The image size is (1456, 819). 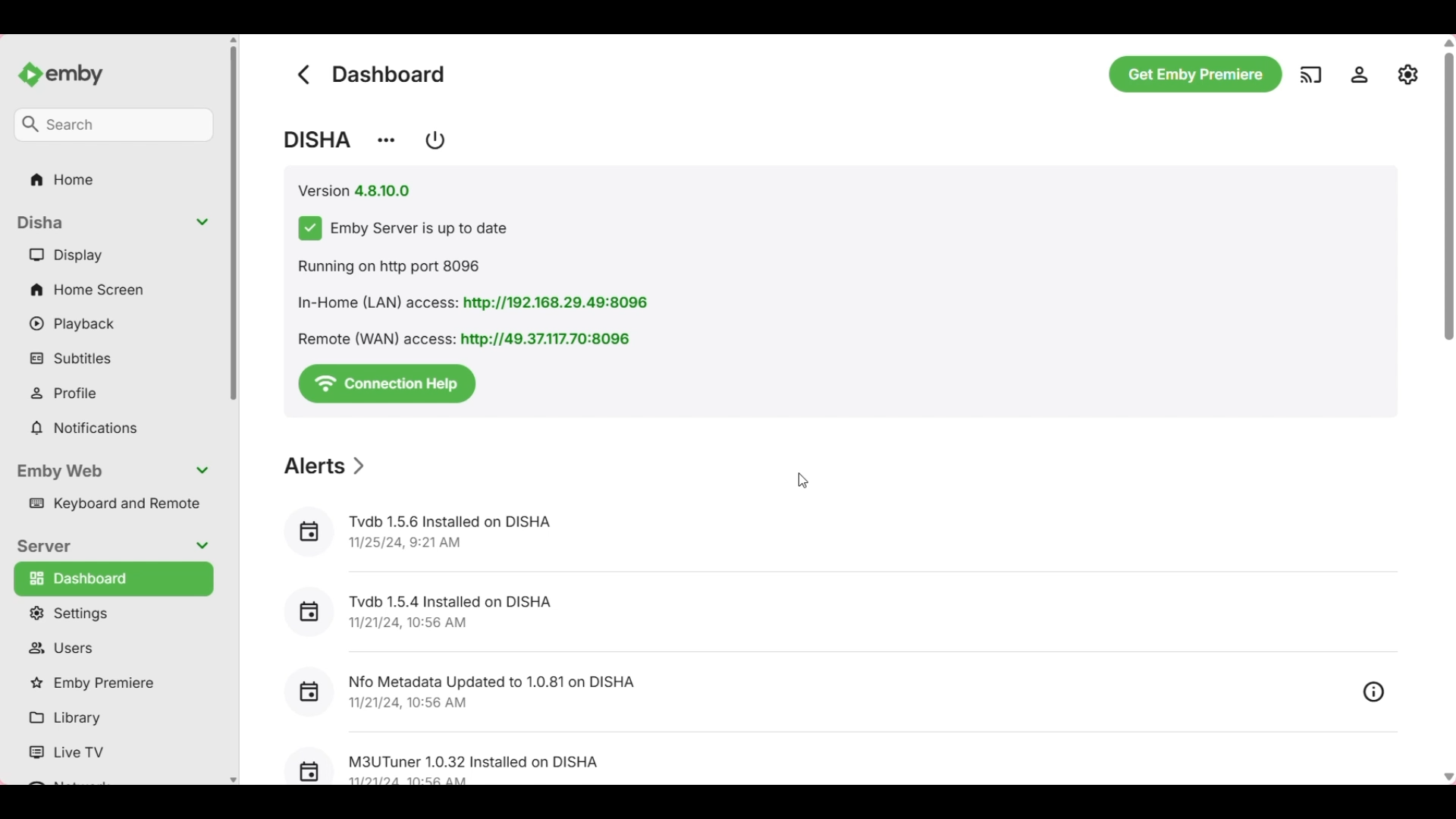 I want to click on Collapse section contents list, so click(x=113, y=223).